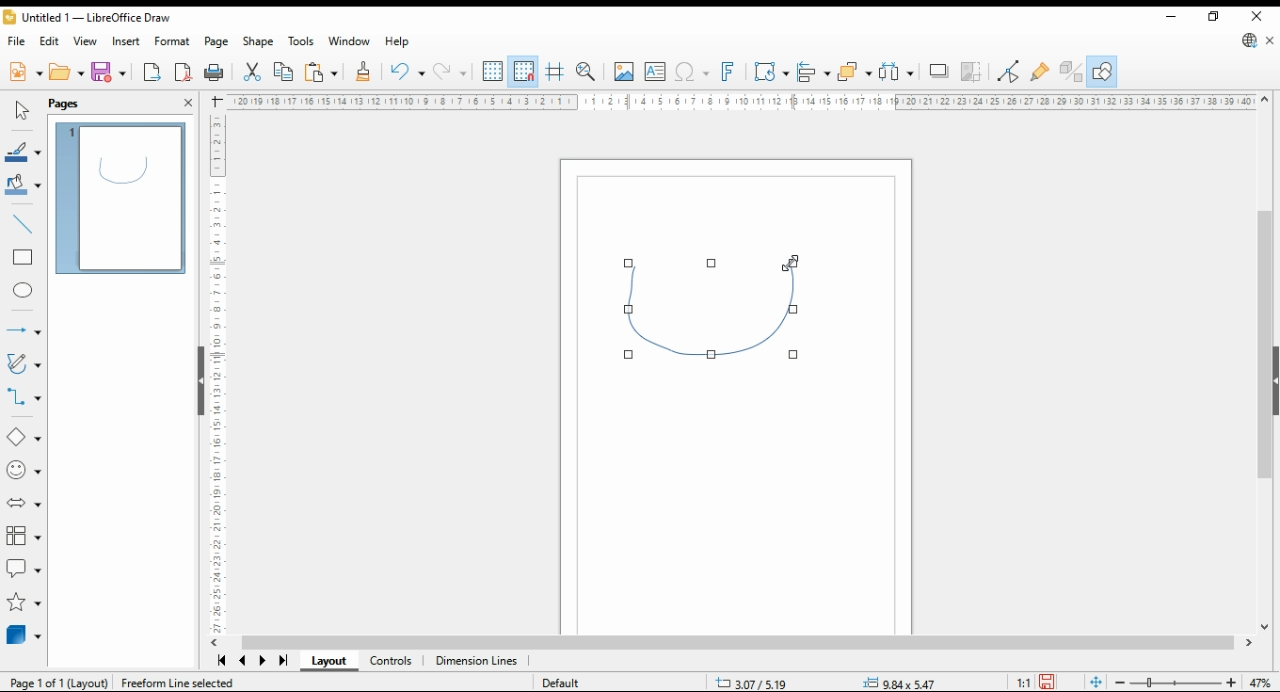  What do you see at coordinates (1250, 40) in the screenshot?
I see `libreoffice update` at bounding box center [1250, 40].